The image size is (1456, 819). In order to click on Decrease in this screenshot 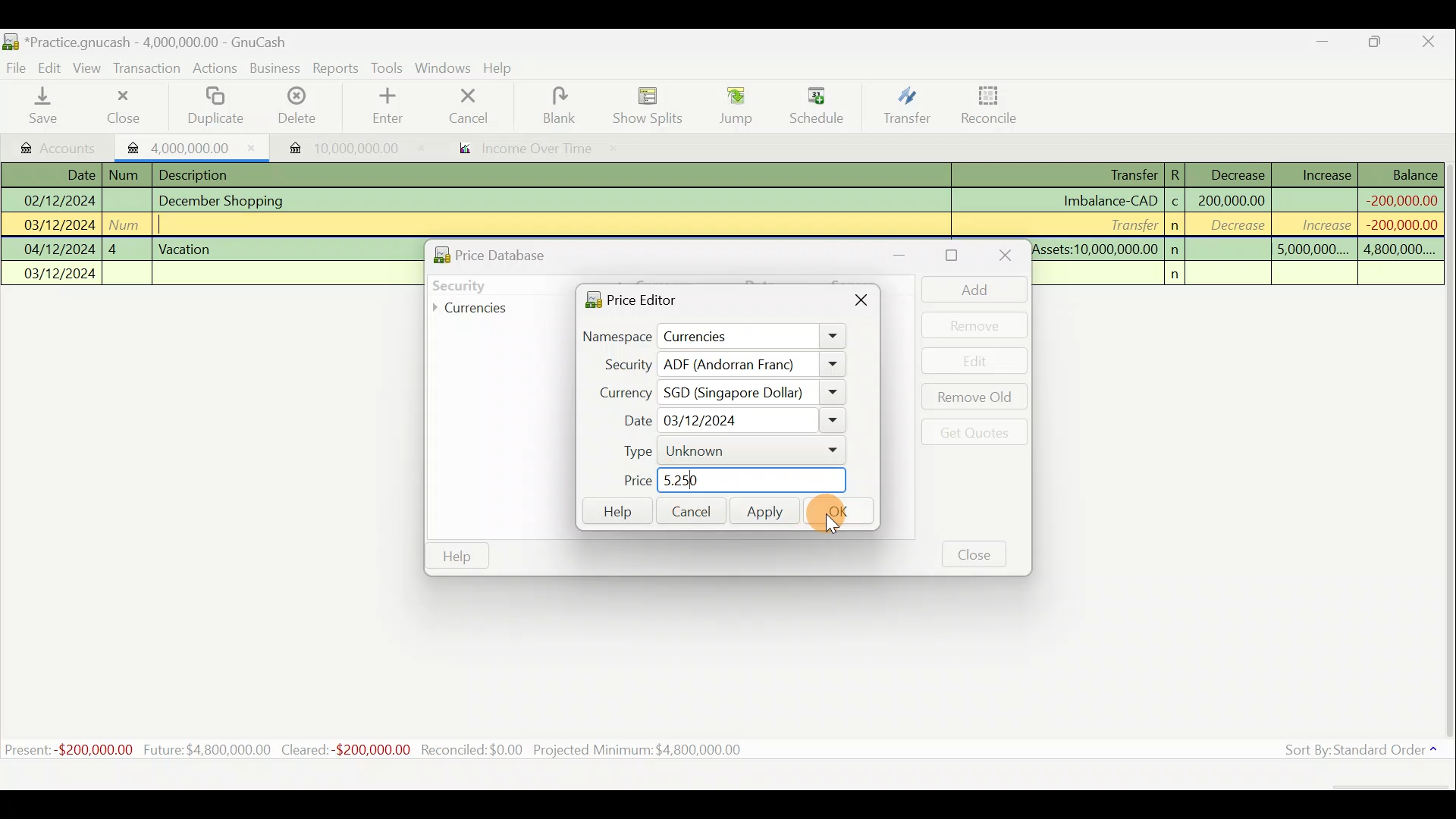, I will do `click(1237, 174)`.